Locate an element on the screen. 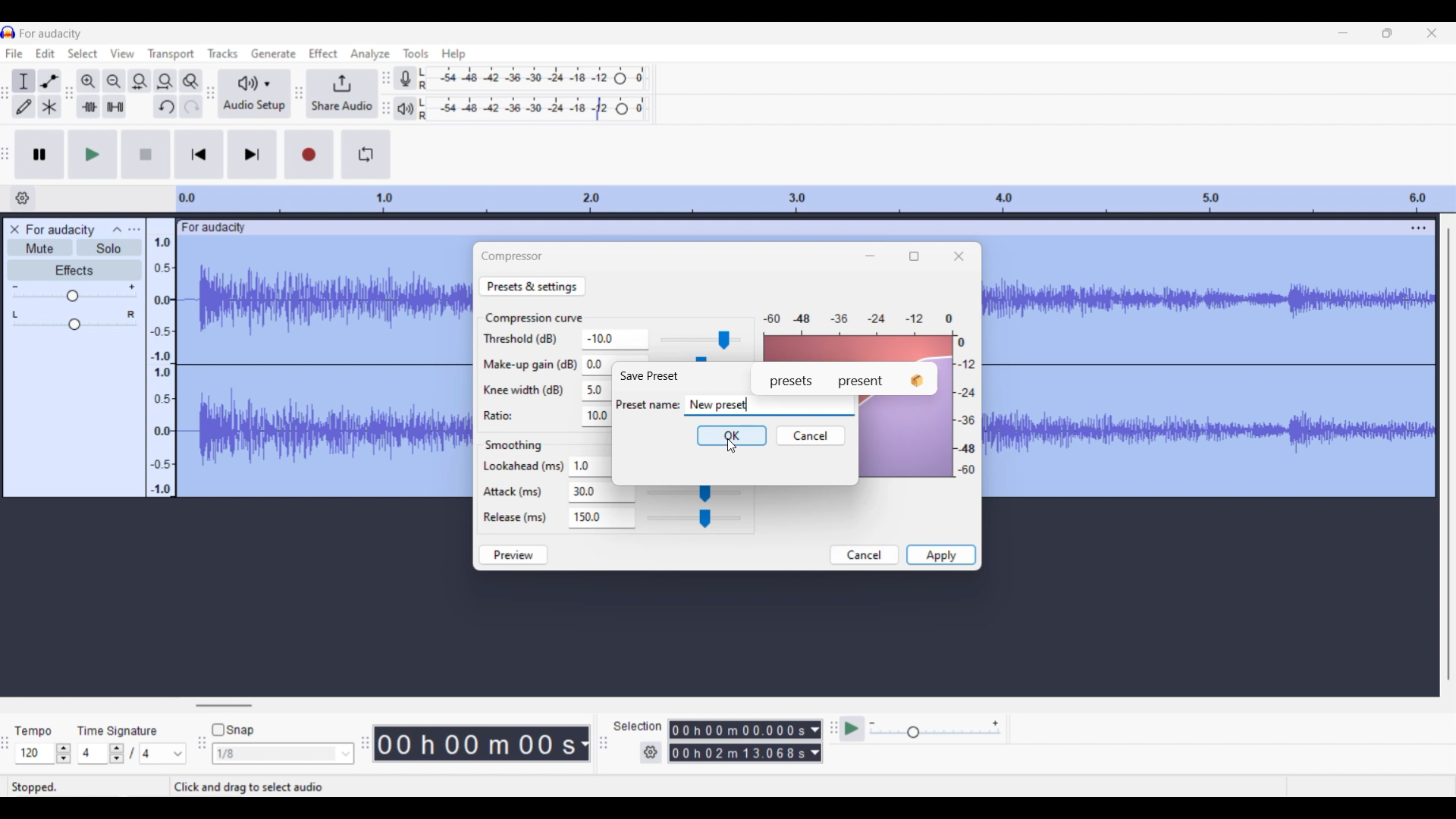 The width and height of the screenshot is (1456, 819). Transport is located at coordinates (171, 55).